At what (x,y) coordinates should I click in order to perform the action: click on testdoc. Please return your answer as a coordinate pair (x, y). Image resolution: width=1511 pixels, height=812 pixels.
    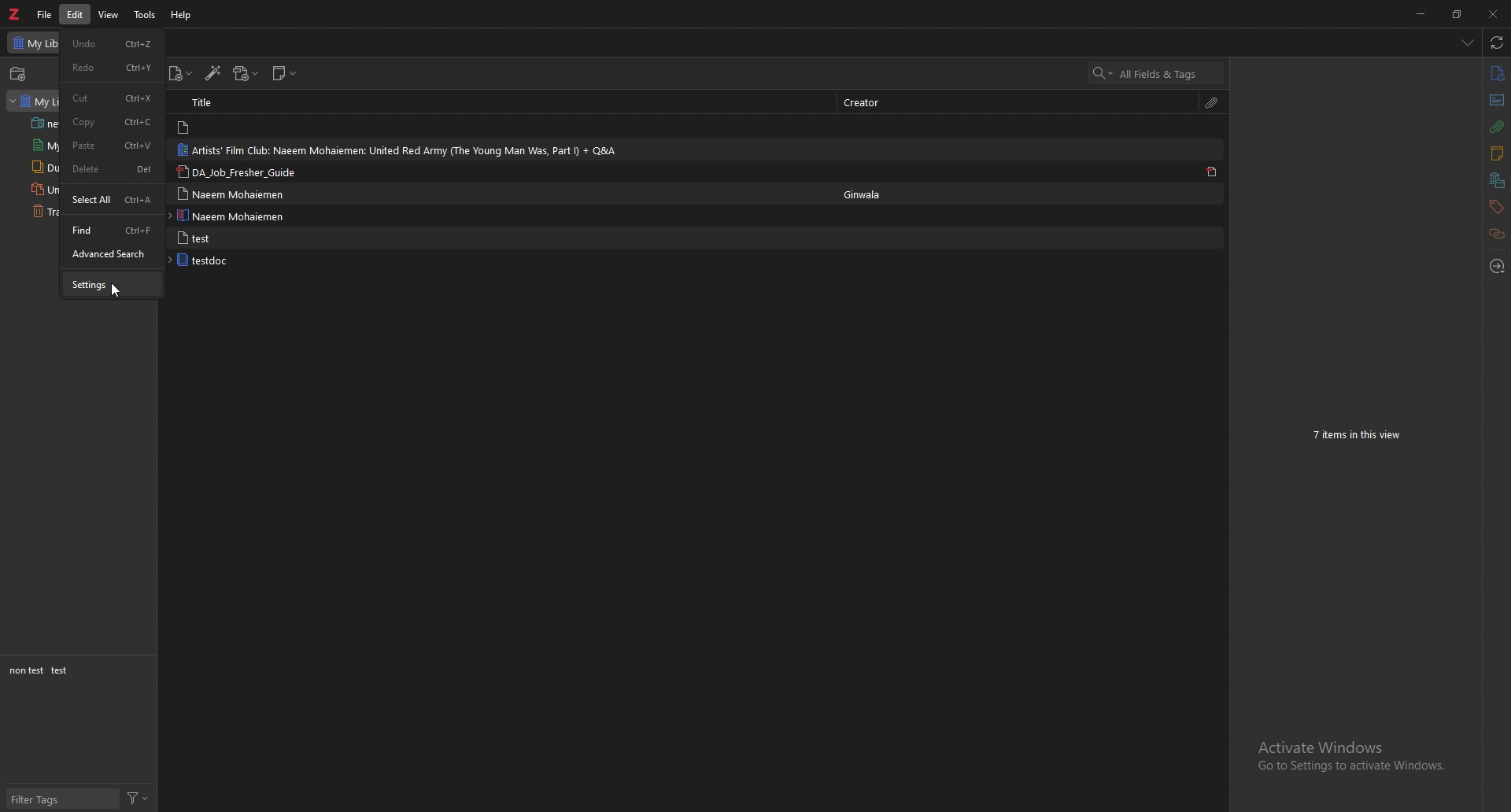
    Looking at the image, I should click on (233, 260).